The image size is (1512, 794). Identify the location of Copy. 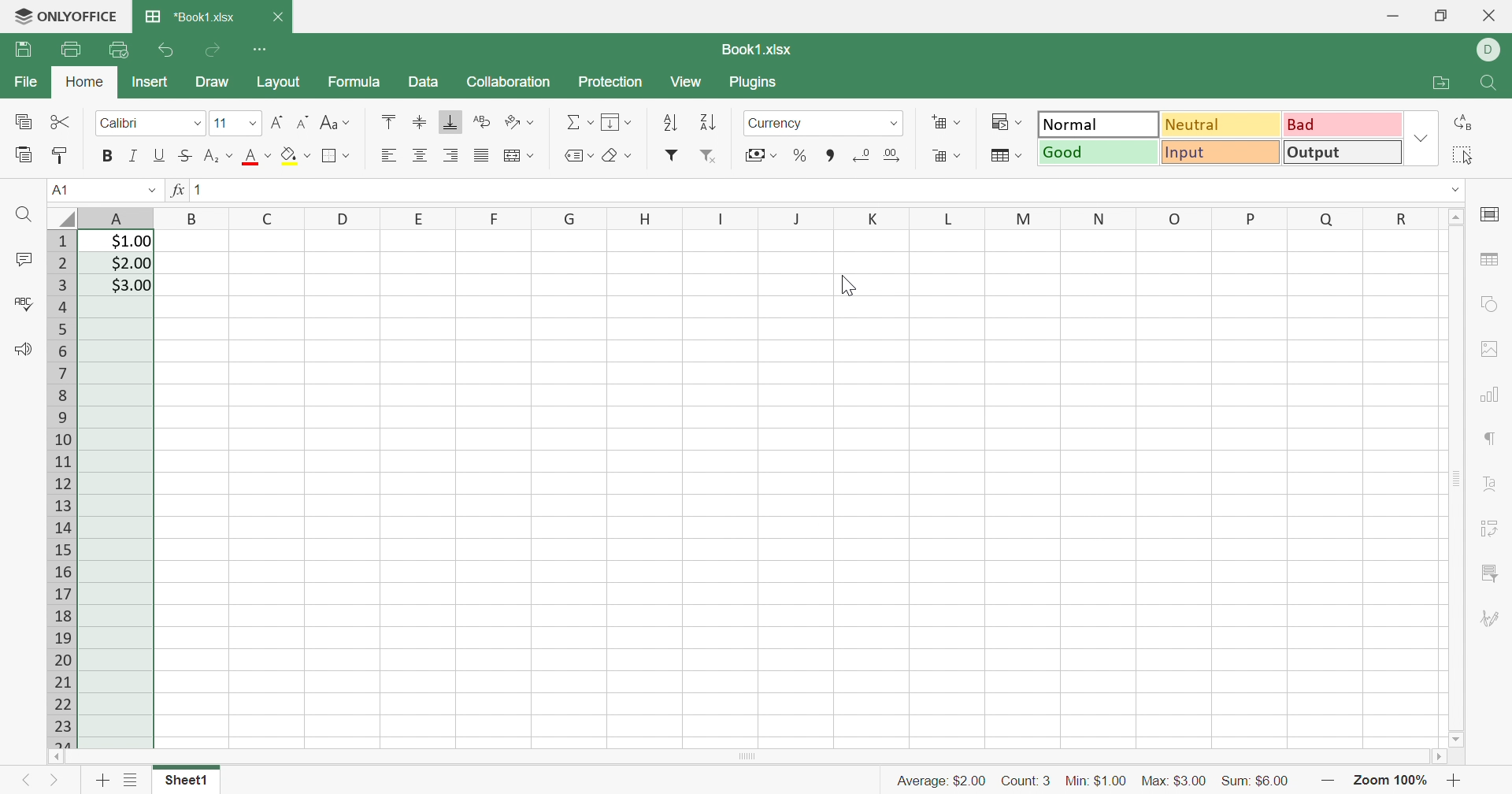
(24, 123).